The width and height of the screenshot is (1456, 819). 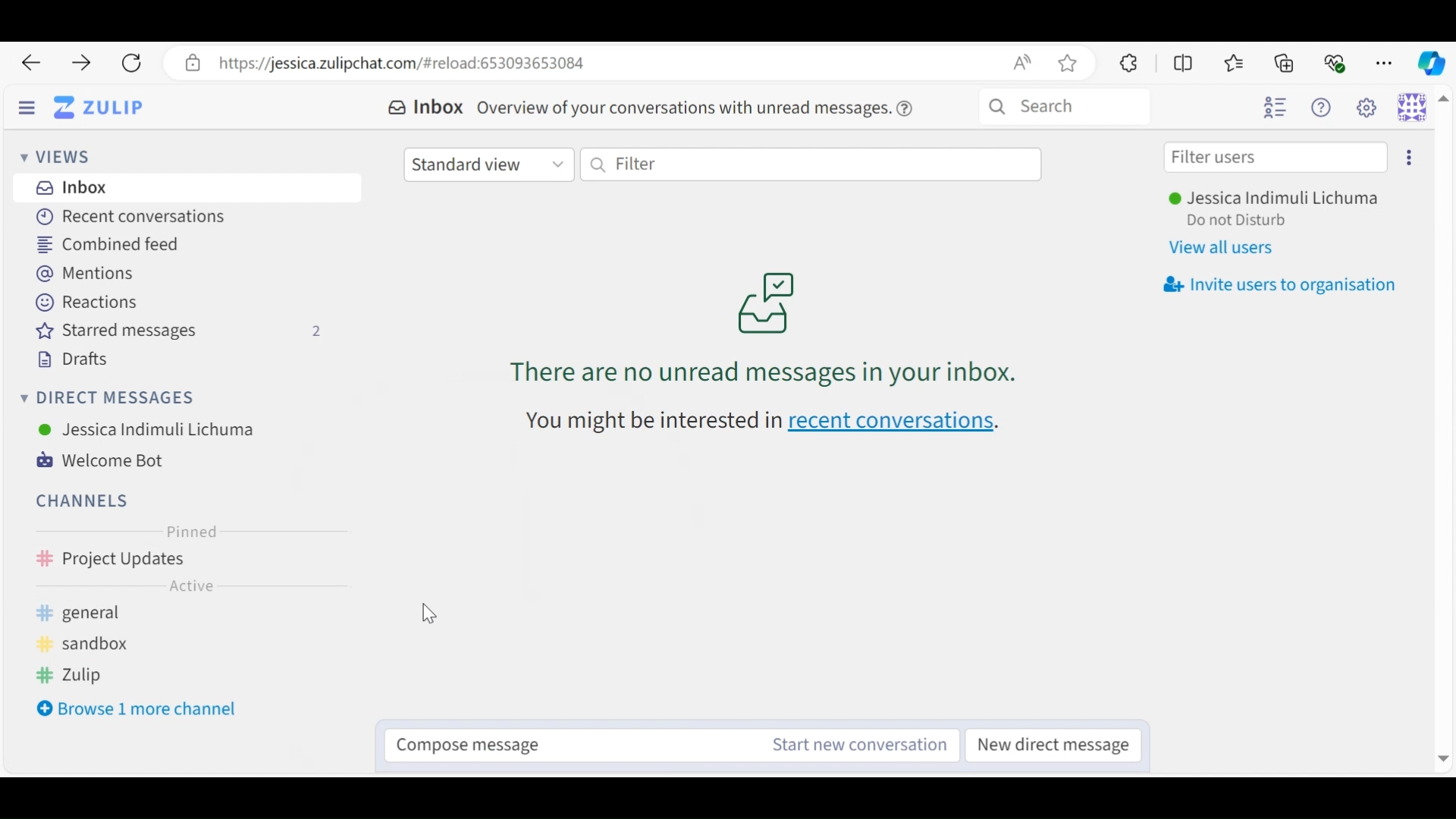 What do you see at coordinates (135, 713) in the screenshot?
I see `Browse more channel` at bounding box center [135, 713].